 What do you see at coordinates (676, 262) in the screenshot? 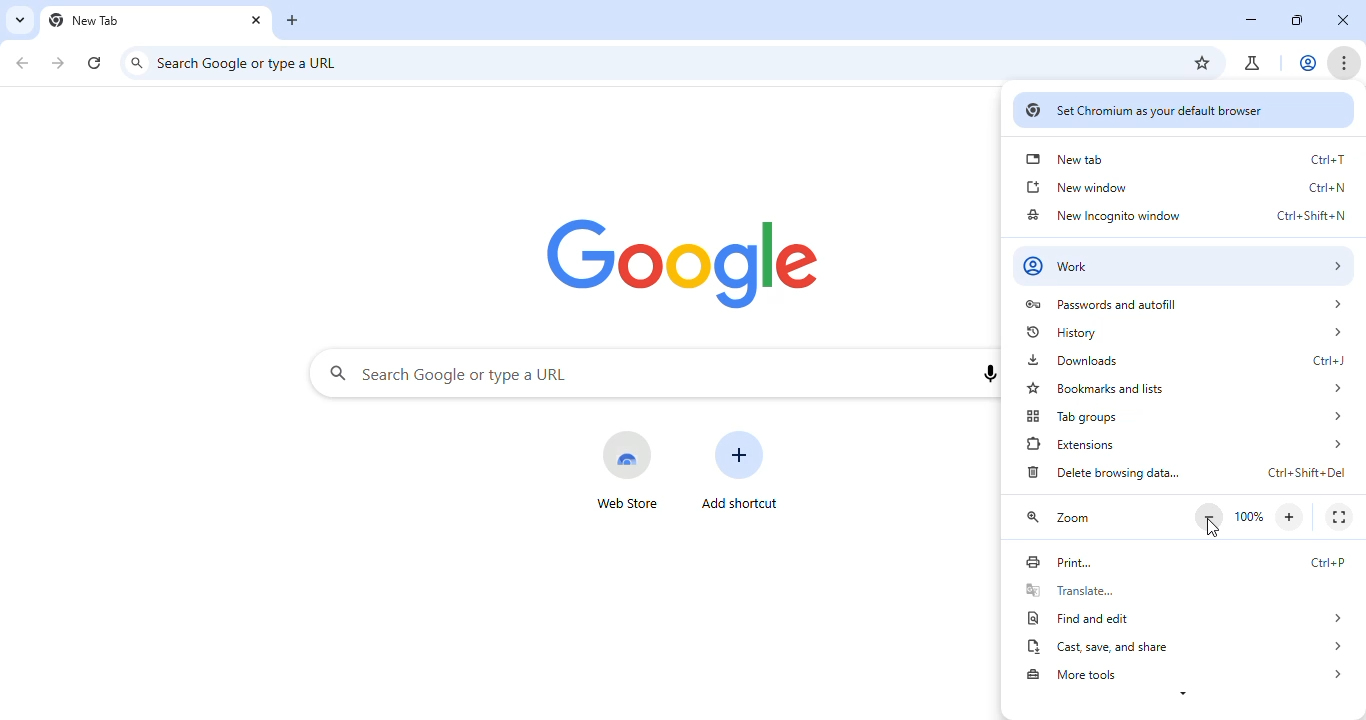
I see `Google ` at bounding box center [676, 262].